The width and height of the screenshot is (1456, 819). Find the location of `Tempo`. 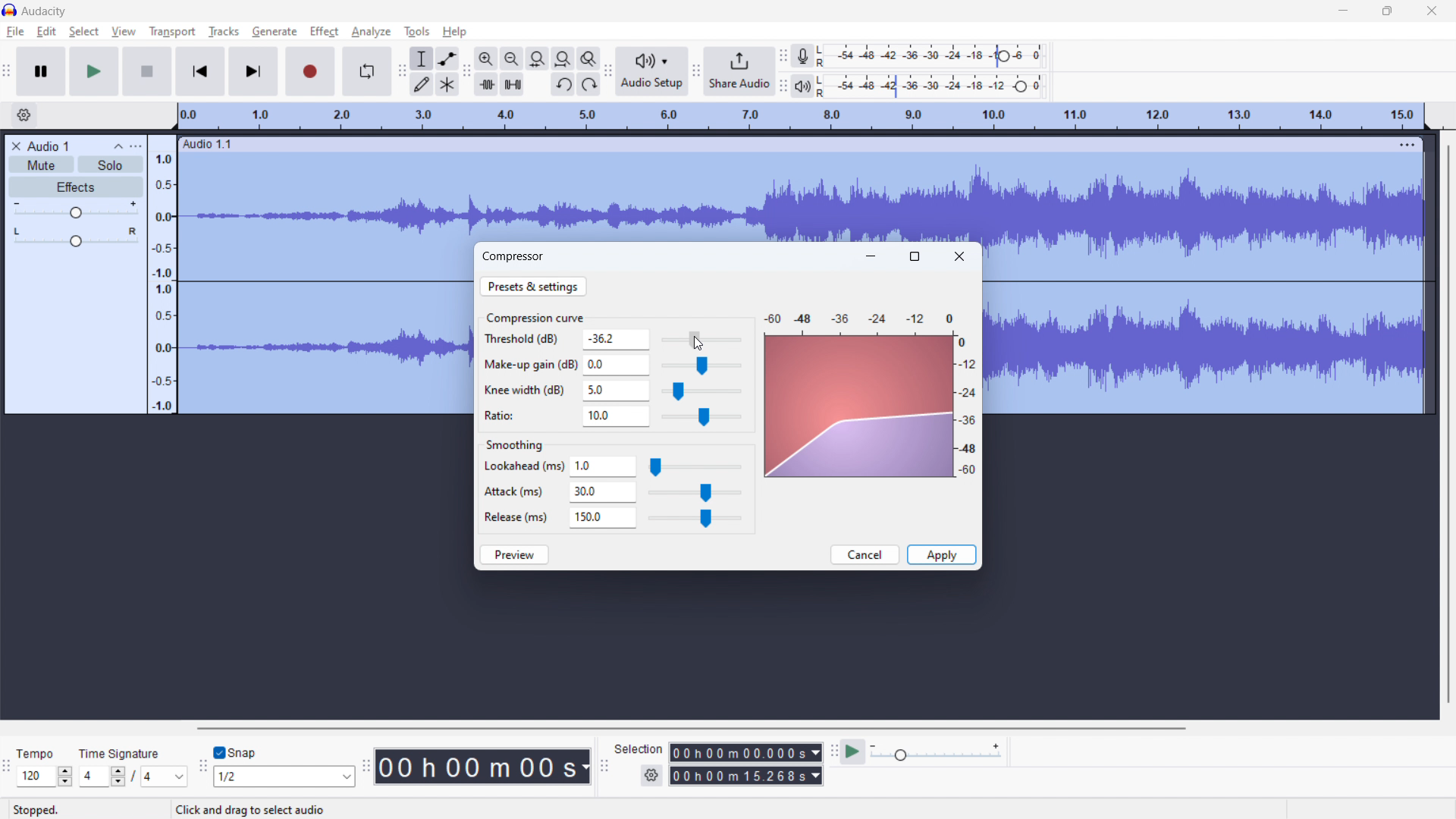

Tempo is located at coordinates (40, 749).